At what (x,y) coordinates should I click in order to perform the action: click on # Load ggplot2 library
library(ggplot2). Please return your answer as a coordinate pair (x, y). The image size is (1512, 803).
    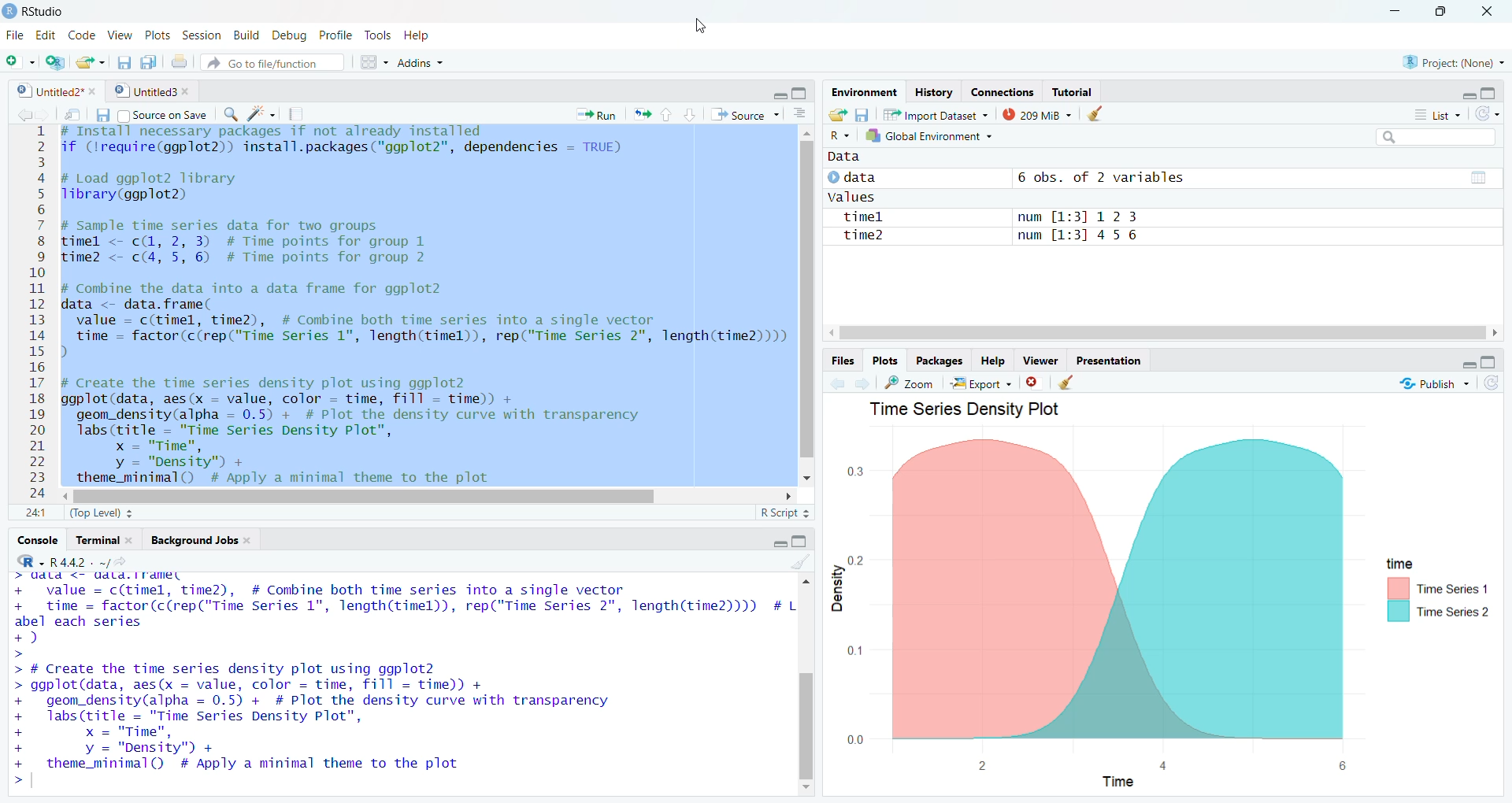
    Looking at the image, I should click on (151, 188).